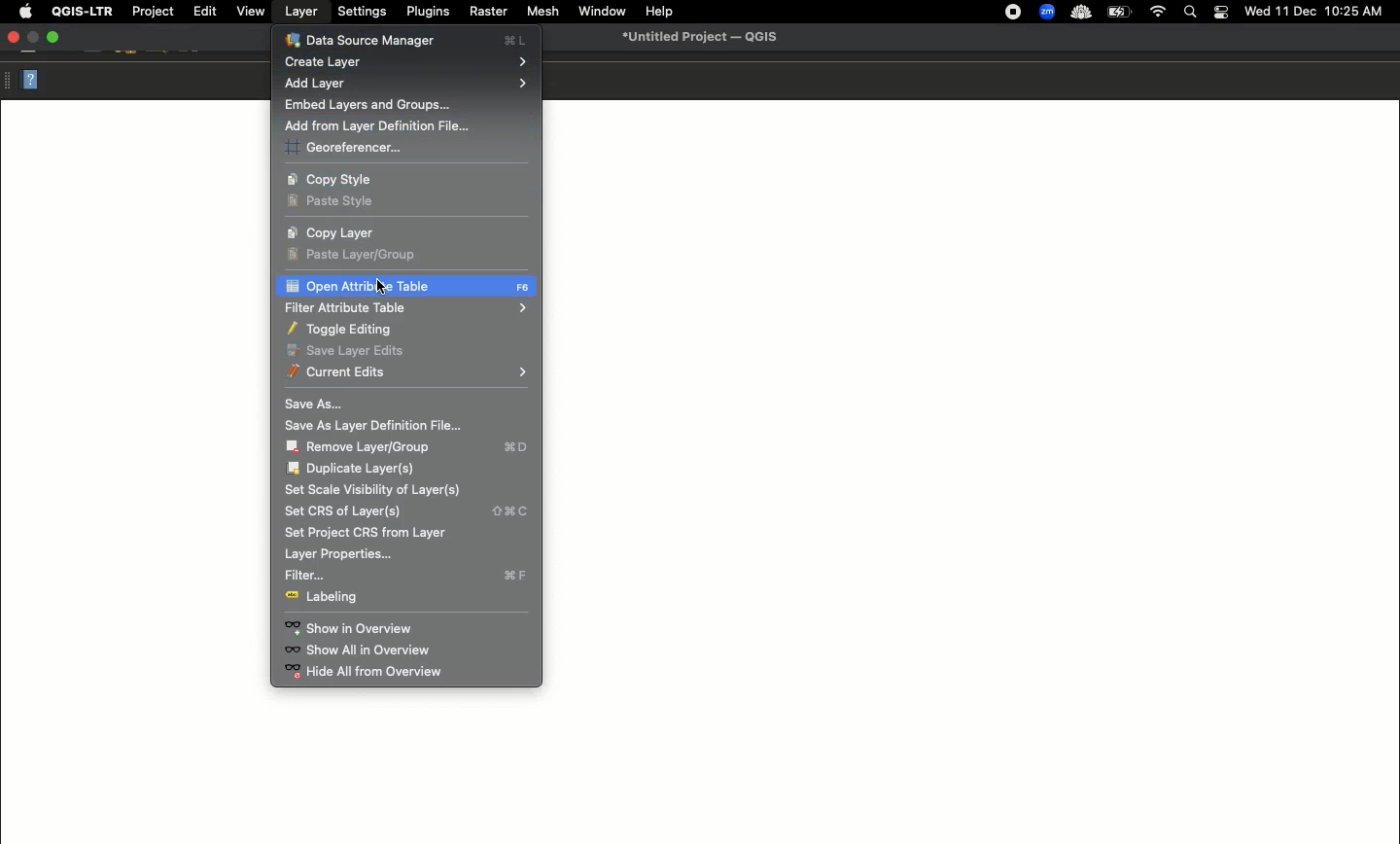  Describe the element at coordinates (404, 307) in the screenshot. I see `Filter attribute table` at that location.